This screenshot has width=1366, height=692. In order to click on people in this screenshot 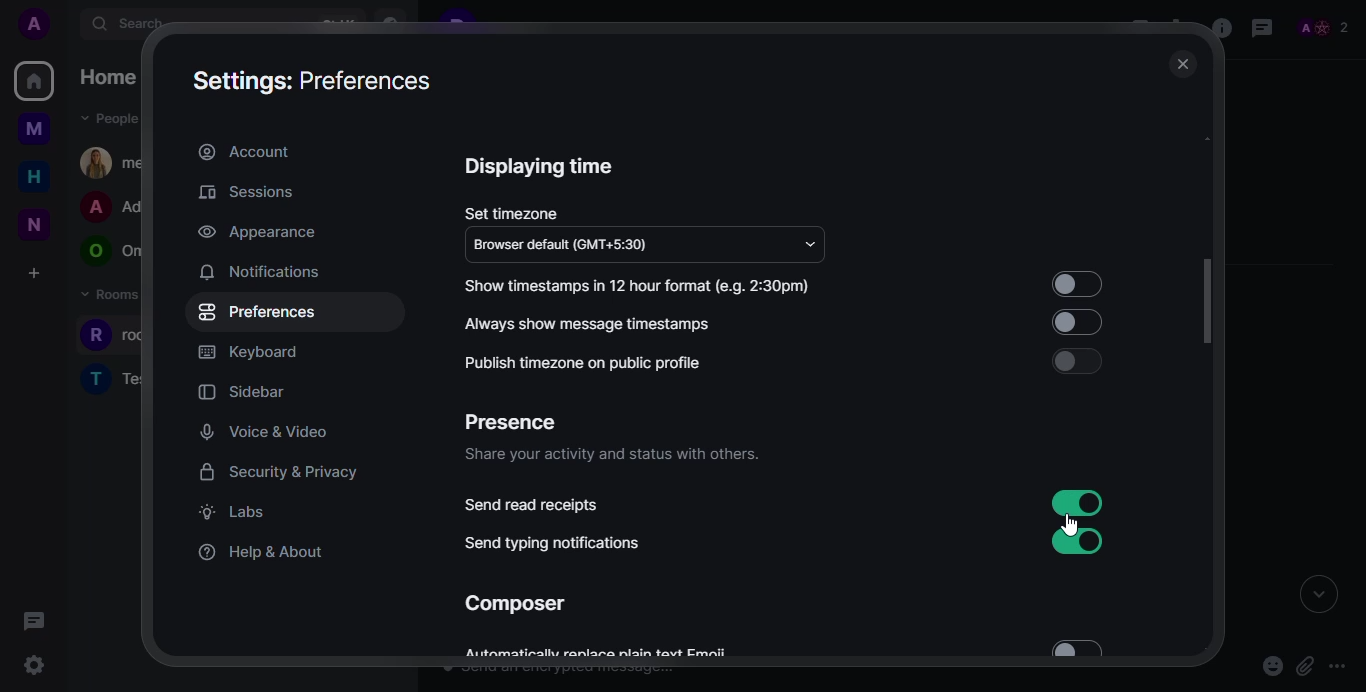, I will do `click(1322, 25)`.